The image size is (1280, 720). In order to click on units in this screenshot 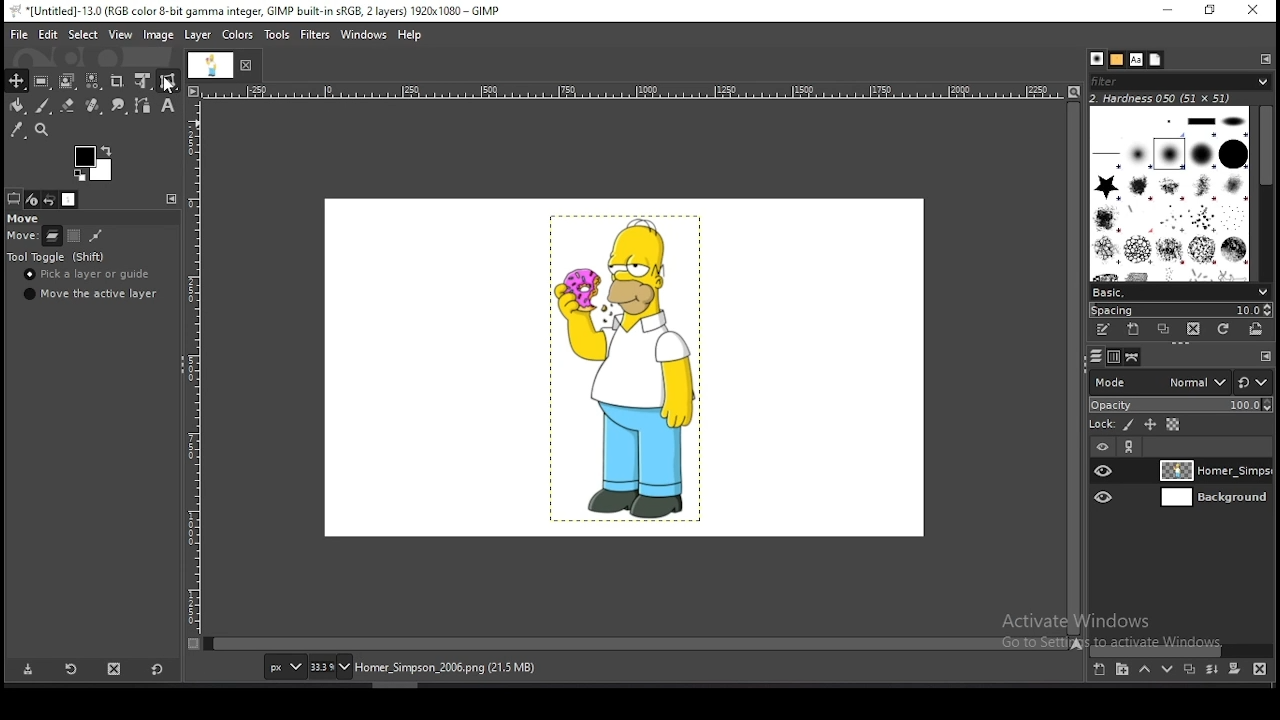, I will do `click(283, 668)`.